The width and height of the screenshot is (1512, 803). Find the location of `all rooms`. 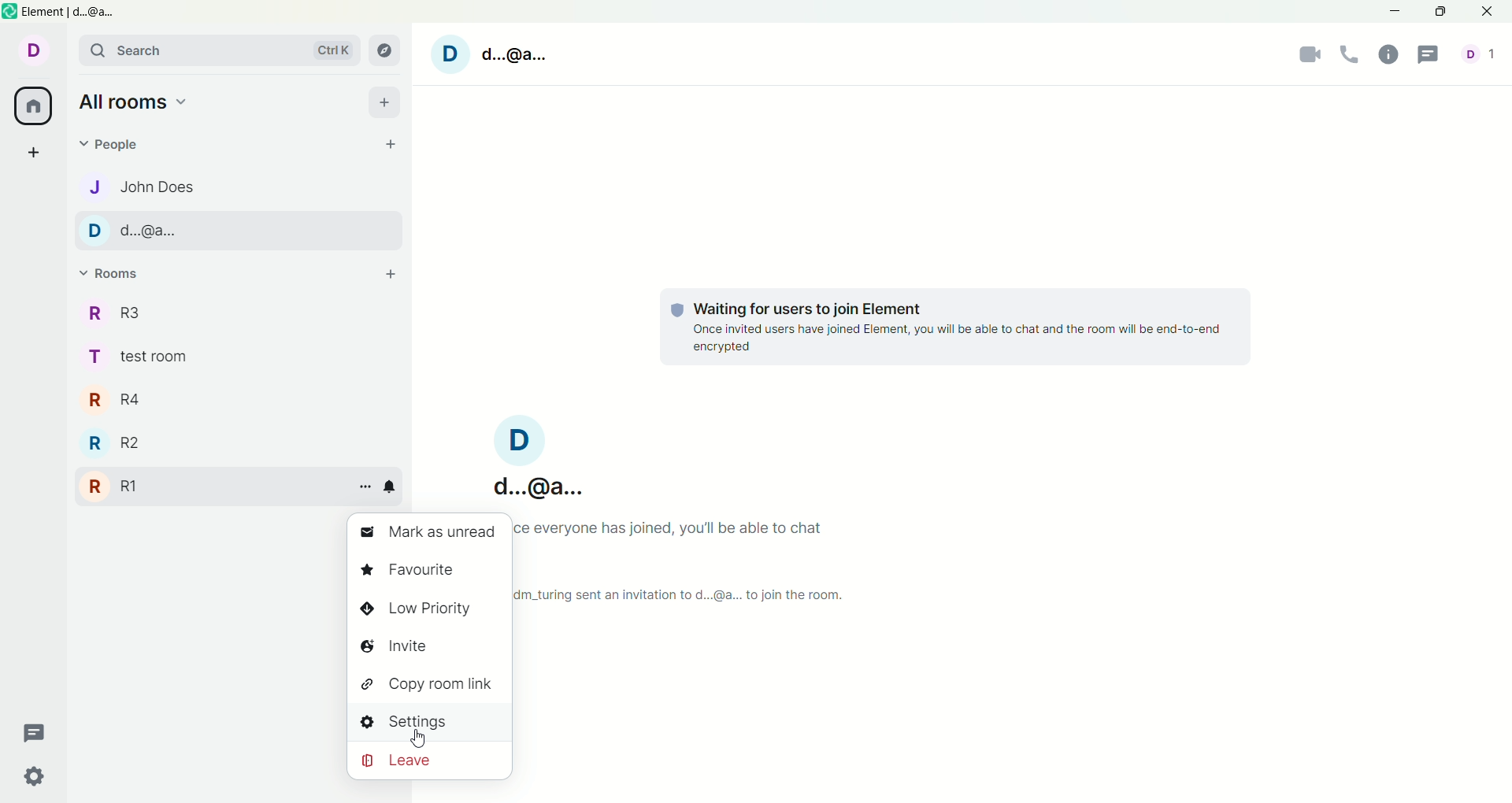

all rooms is located at coordinates (34, 105).